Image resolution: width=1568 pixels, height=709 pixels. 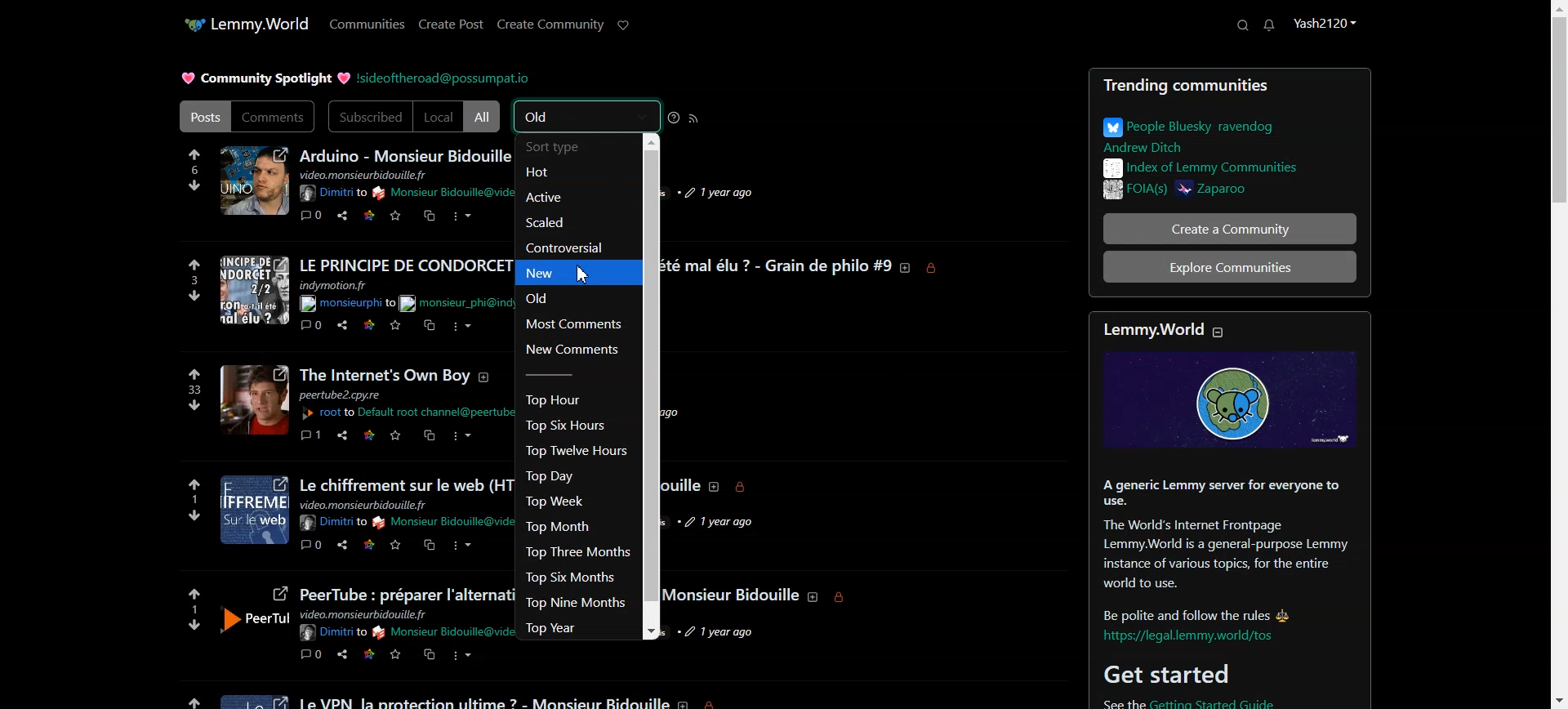 What do you see at coordinates (369, 117) in the screenshot?
I see `Subscribed` at bounding box center [369, 117].